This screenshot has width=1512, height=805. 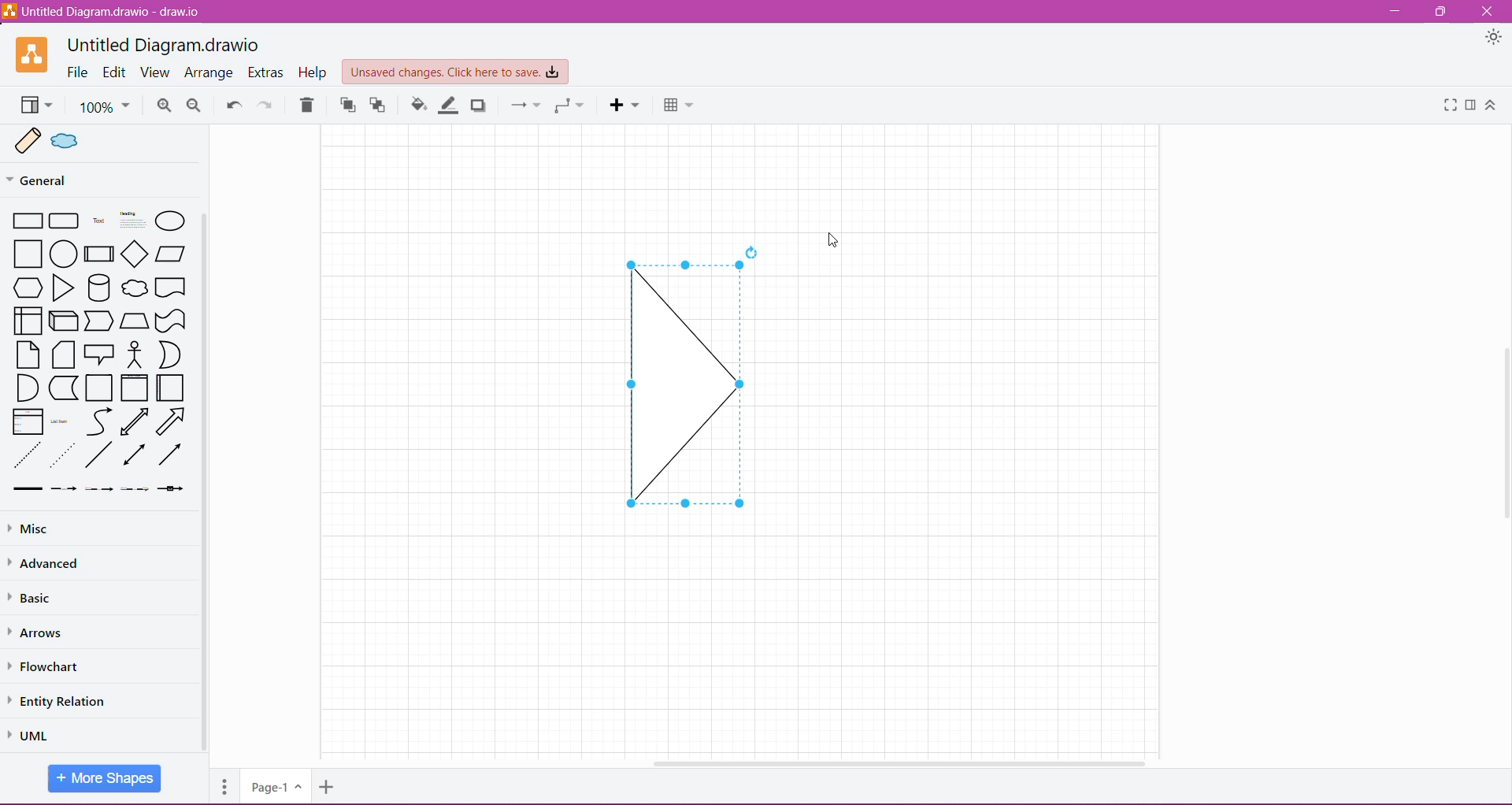 What do you see at coordinates (378, 106) in the screenshot?
I see `To Back` at bounding box center [378, 106].